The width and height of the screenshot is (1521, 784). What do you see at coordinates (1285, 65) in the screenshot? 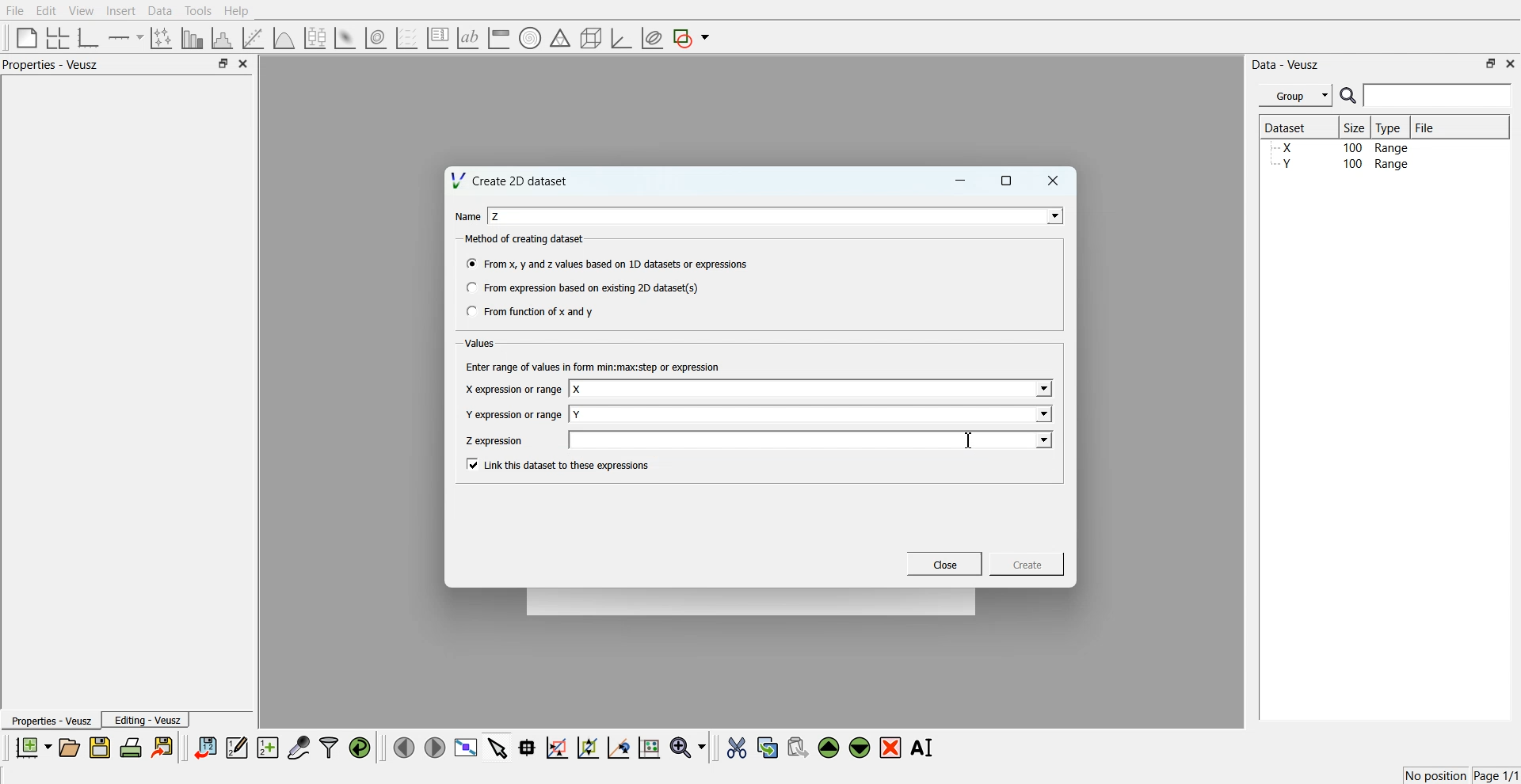
I see `Data - Veusz` at bounding box center [1285, 65].